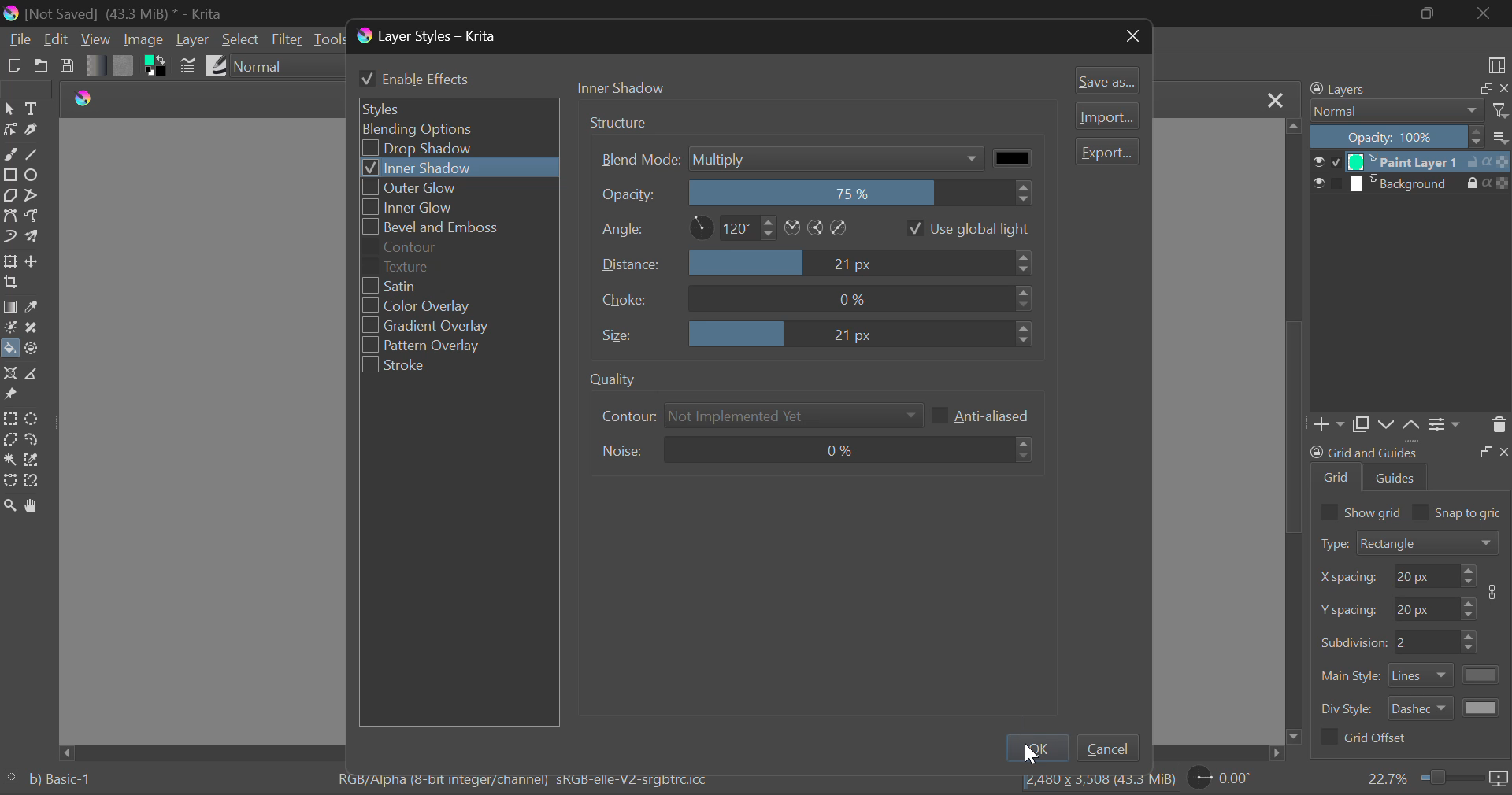 This screenshot has width=1512, height=795. I want to click on Color Information, so click(517, 786).